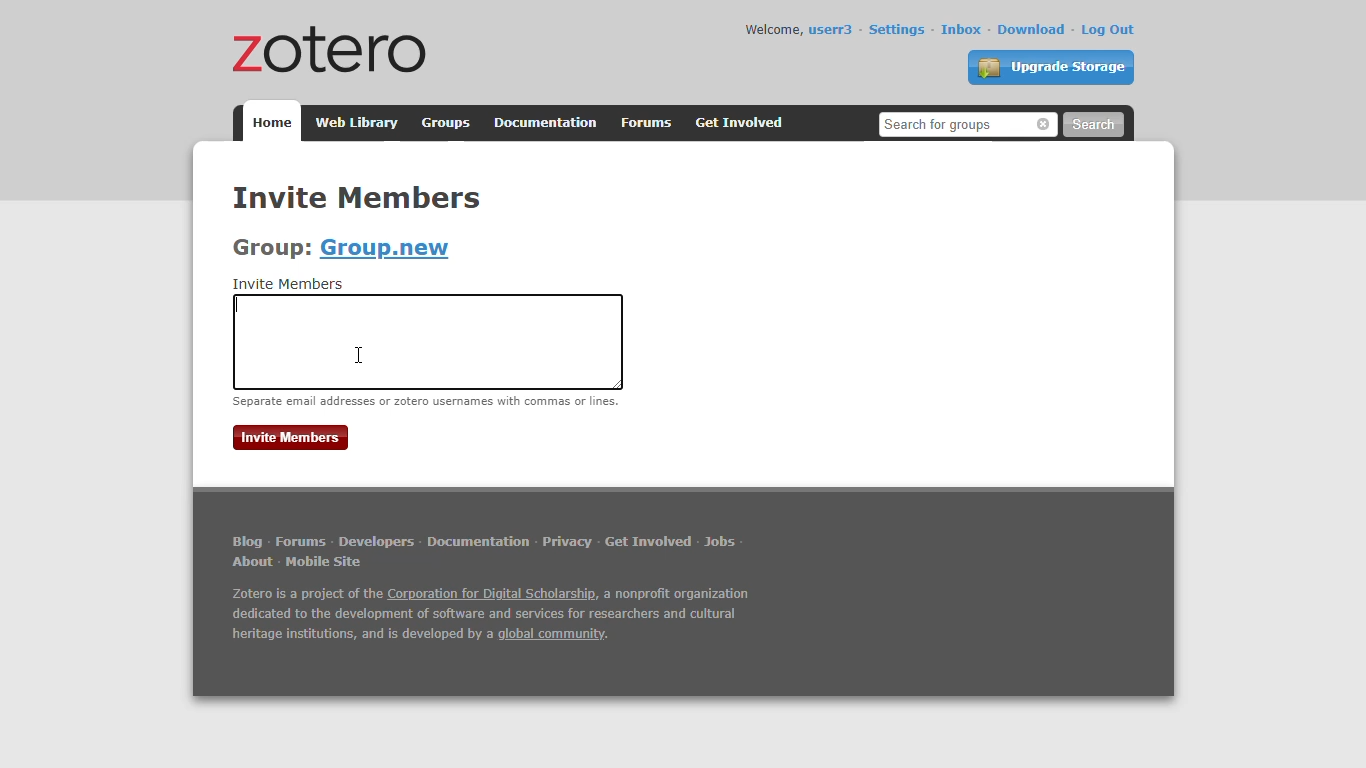 This screenshot has width=1366, height=768. What do you see at coordinates (961, 29) in the screenshot?
I see `inbox` at bounding box center [961, 29].